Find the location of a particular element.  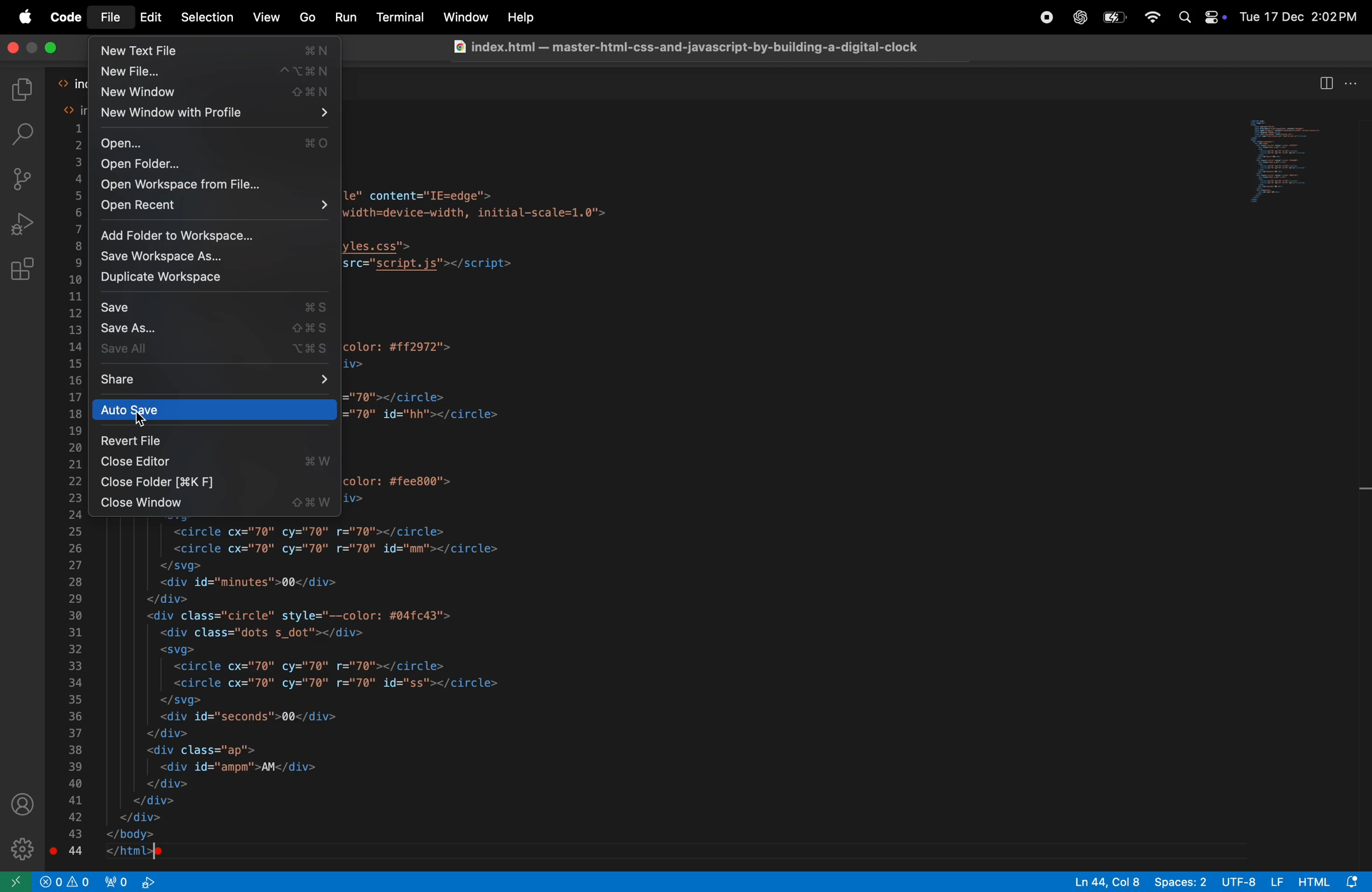

UTF-8 LF is located at coordinates (1254, 881).